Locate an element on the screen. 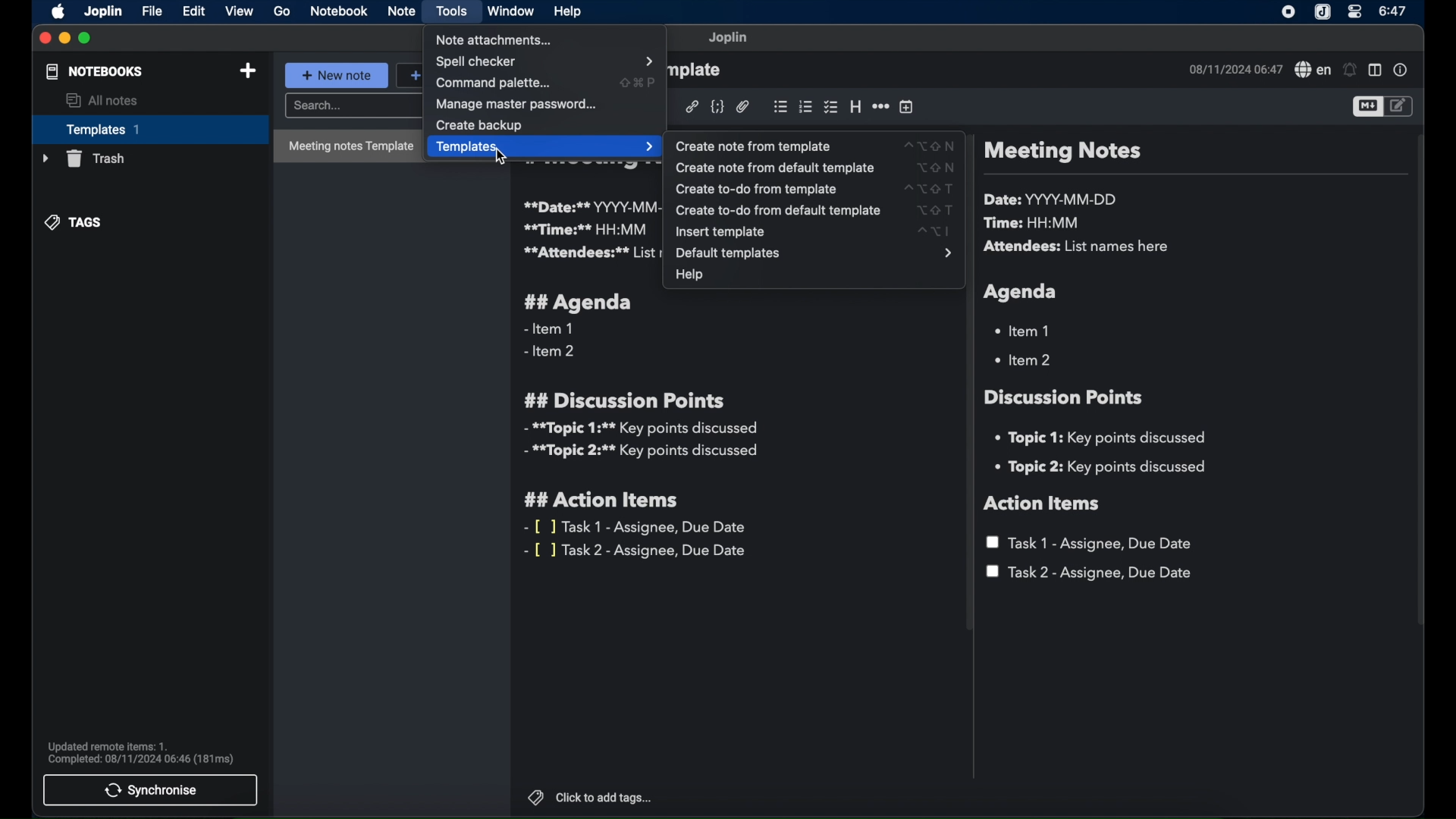 This screenshot has height=819, width=1456. toggle editor is located at coordinates (1399, 106).